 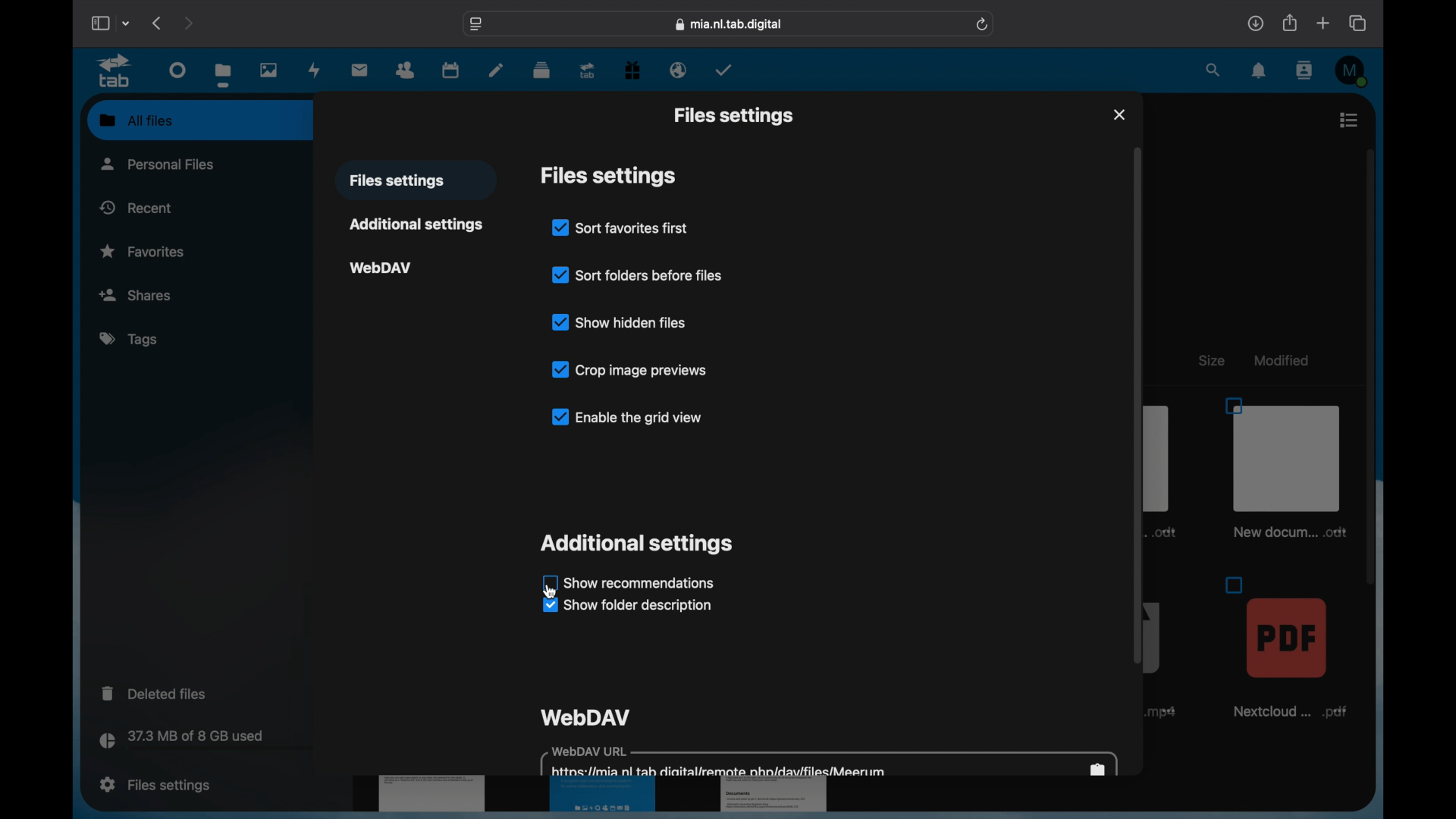 What do you see at coordinates (1283, 359) in the screenshot?
I see `modified` at bounding box center [1283, 359].